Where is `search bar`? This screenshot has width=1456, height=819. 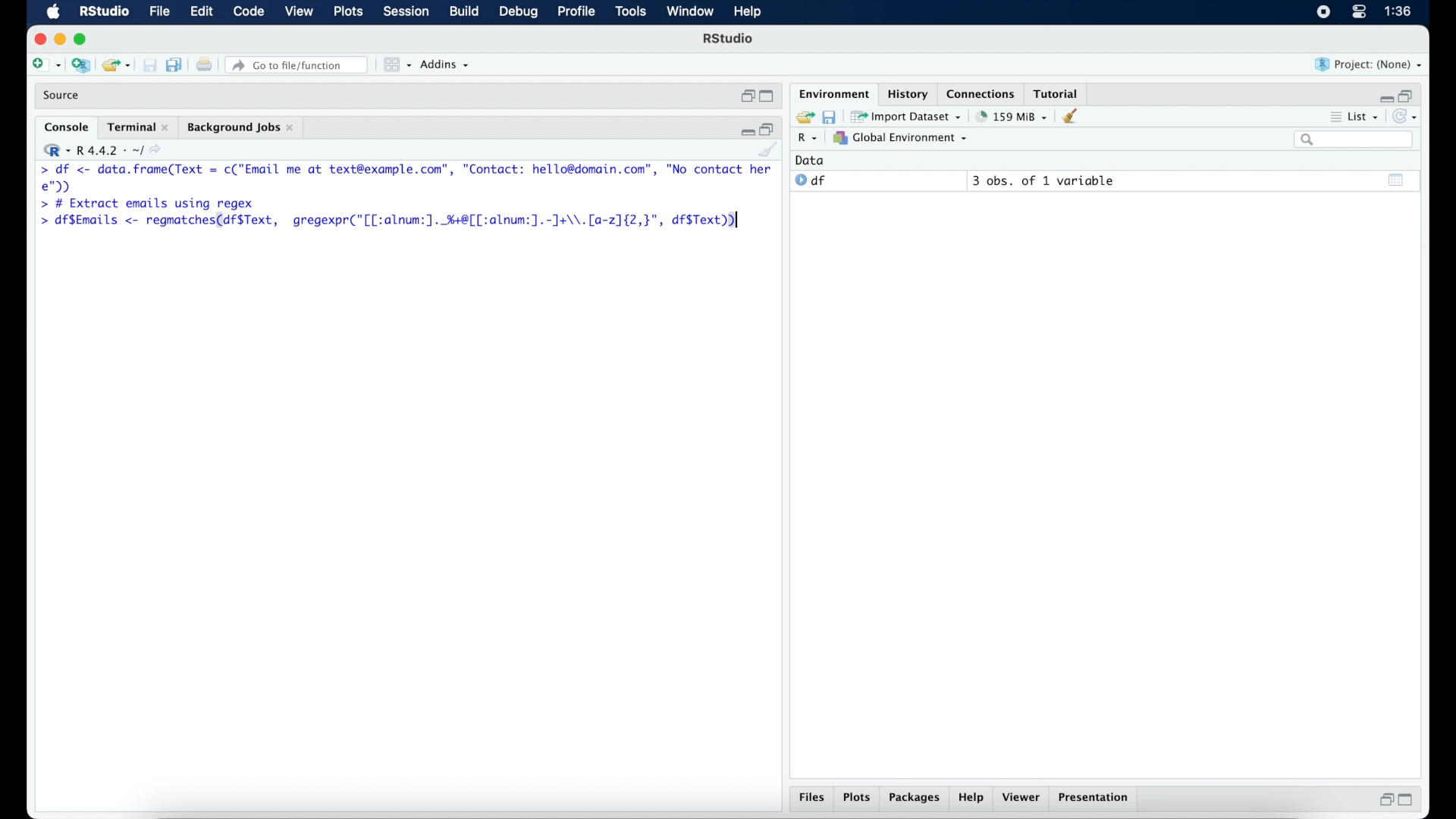
search bar is located at coordinates (1355, 140).